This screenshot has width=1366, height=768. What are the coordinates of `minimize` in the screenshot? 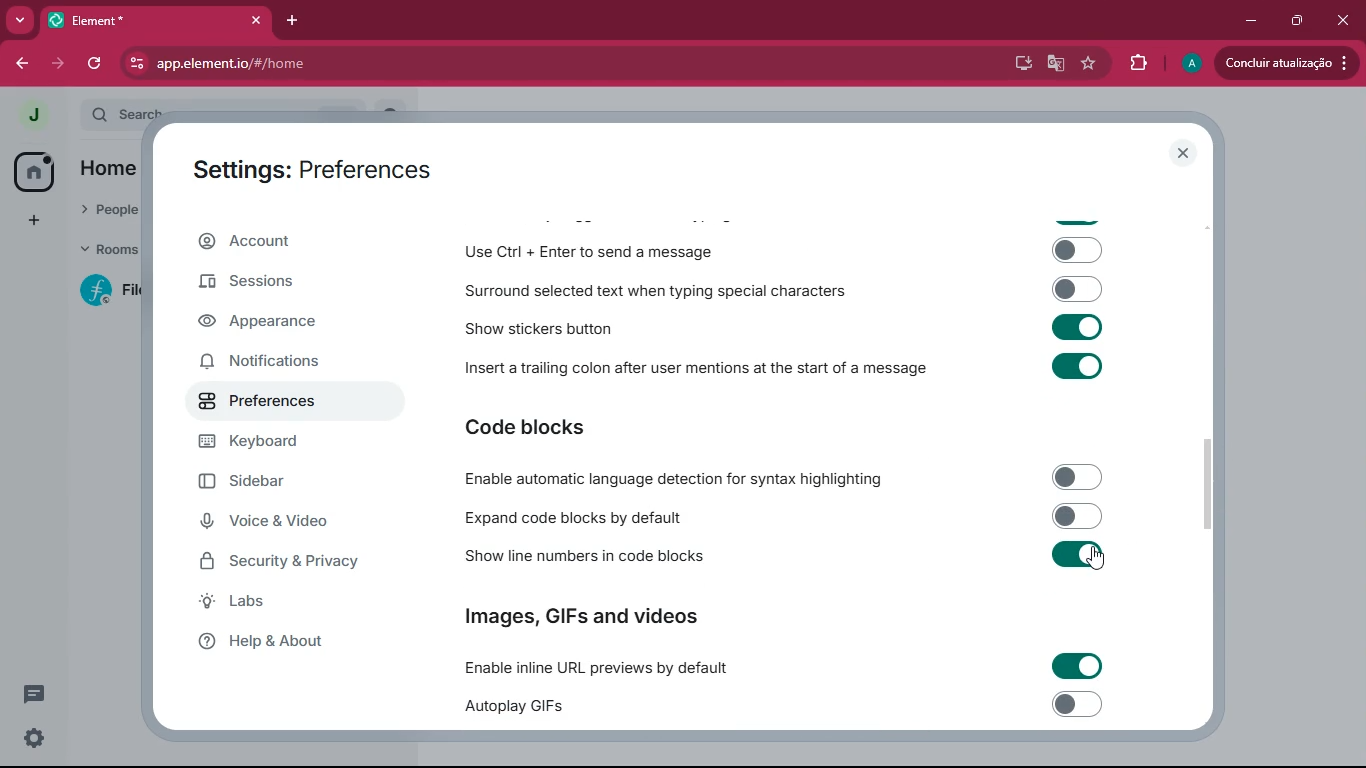 It's located at (1253, 22).